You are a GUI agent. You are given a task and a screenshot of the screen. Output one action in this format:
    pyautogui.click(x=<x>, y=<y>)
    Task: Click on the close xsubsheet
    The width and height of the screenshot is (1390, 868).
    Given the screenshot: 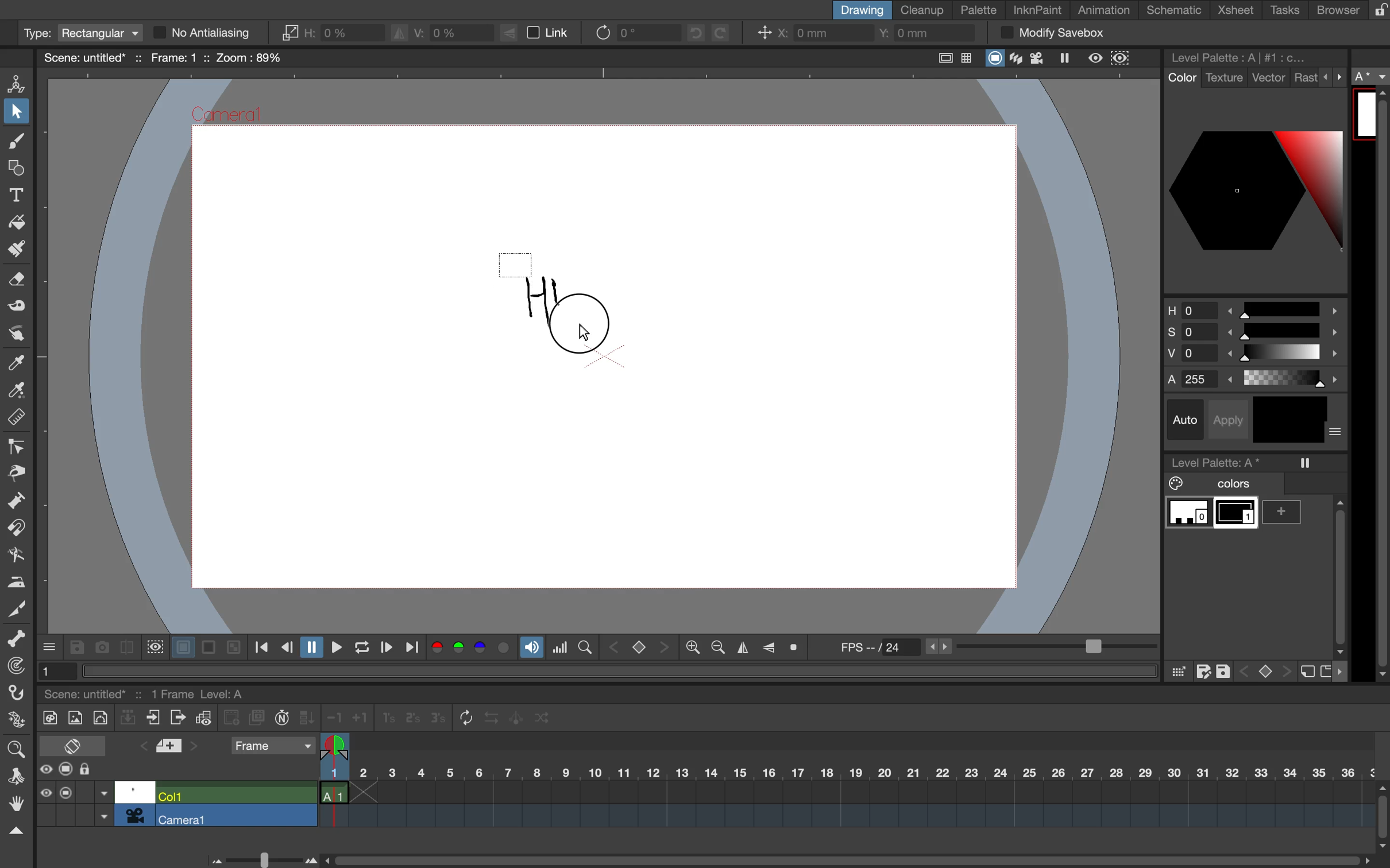 What is the action you would take?
    pyautogui.click(x=153, y=718)
    